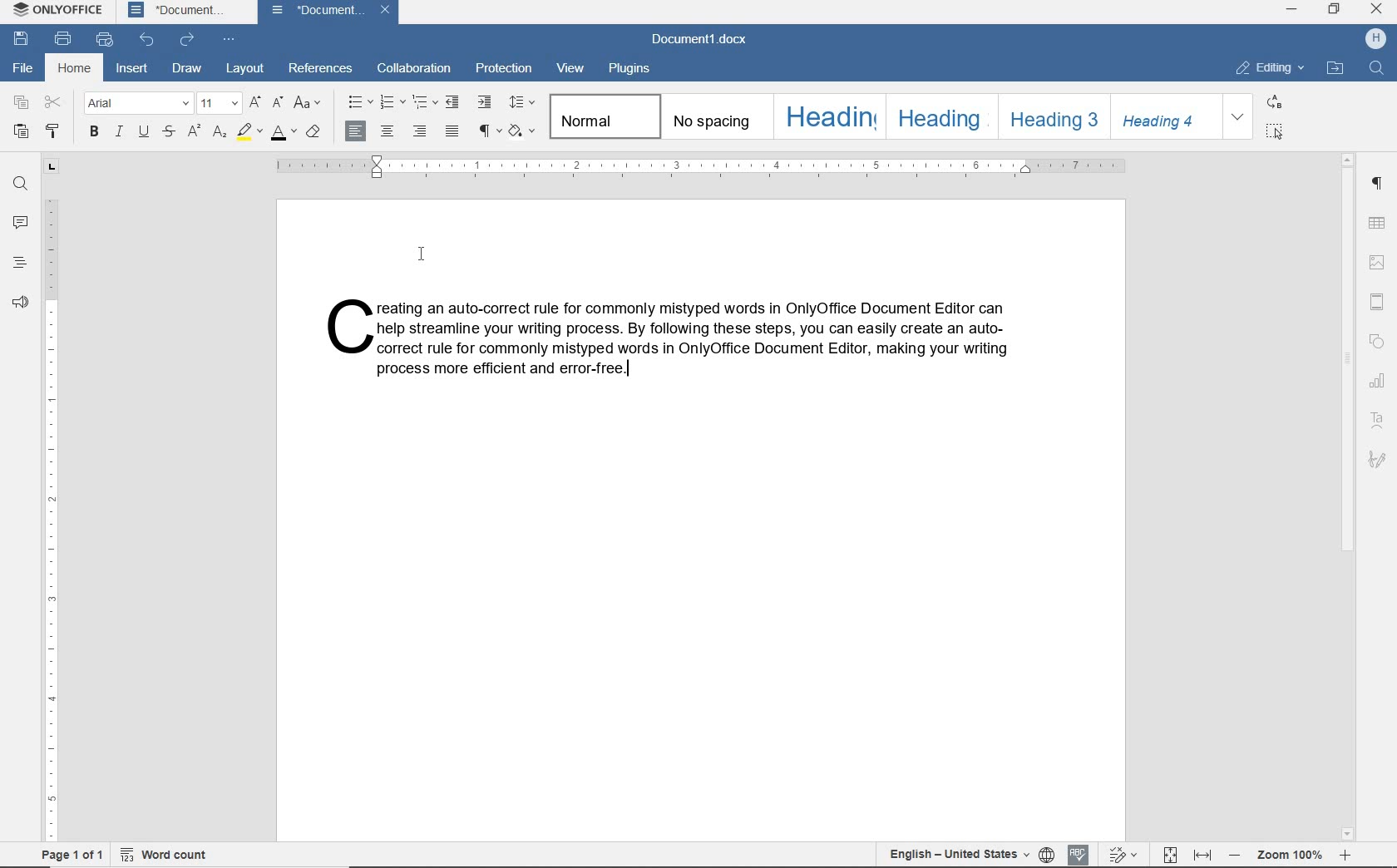  Describe the element at coordinates (323, 70) in the screenshot. I see `REFERENCES` at that location.